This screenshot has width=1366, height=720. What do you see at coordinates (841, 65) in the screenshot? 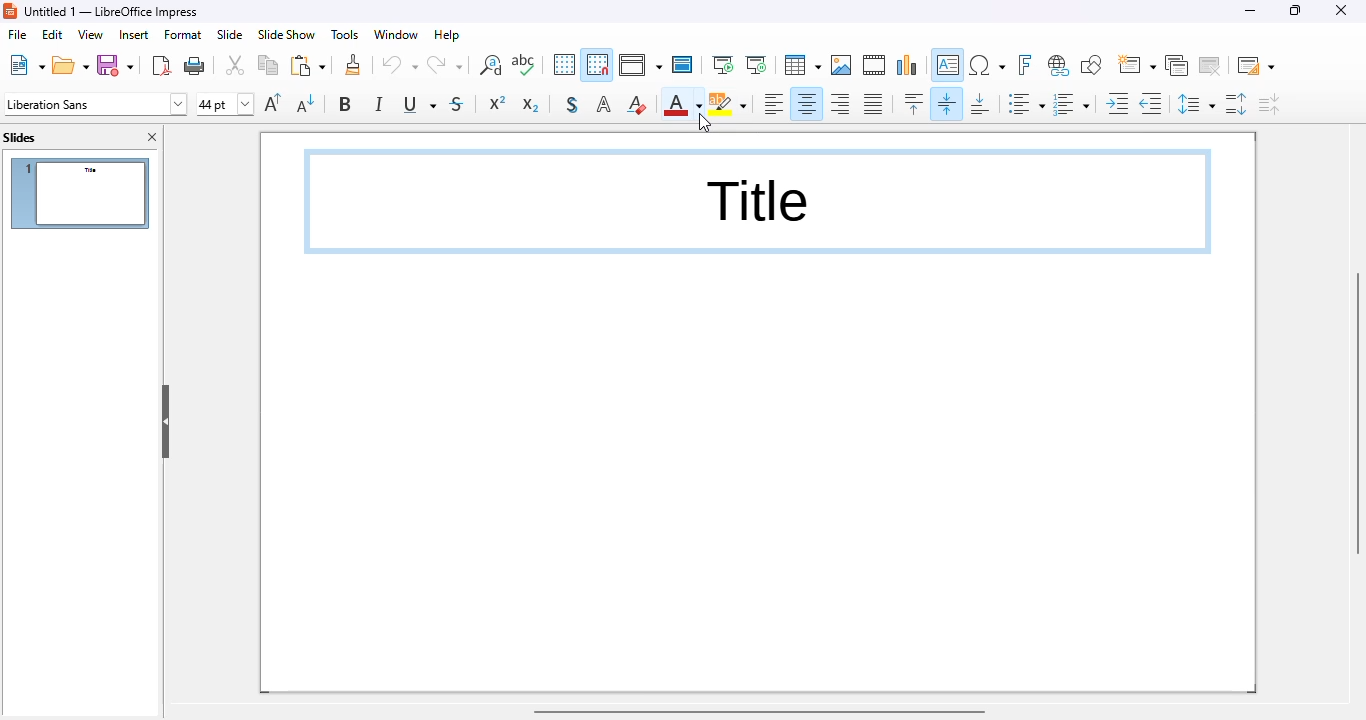
I see `insert image` at bounding box center [841, 65].